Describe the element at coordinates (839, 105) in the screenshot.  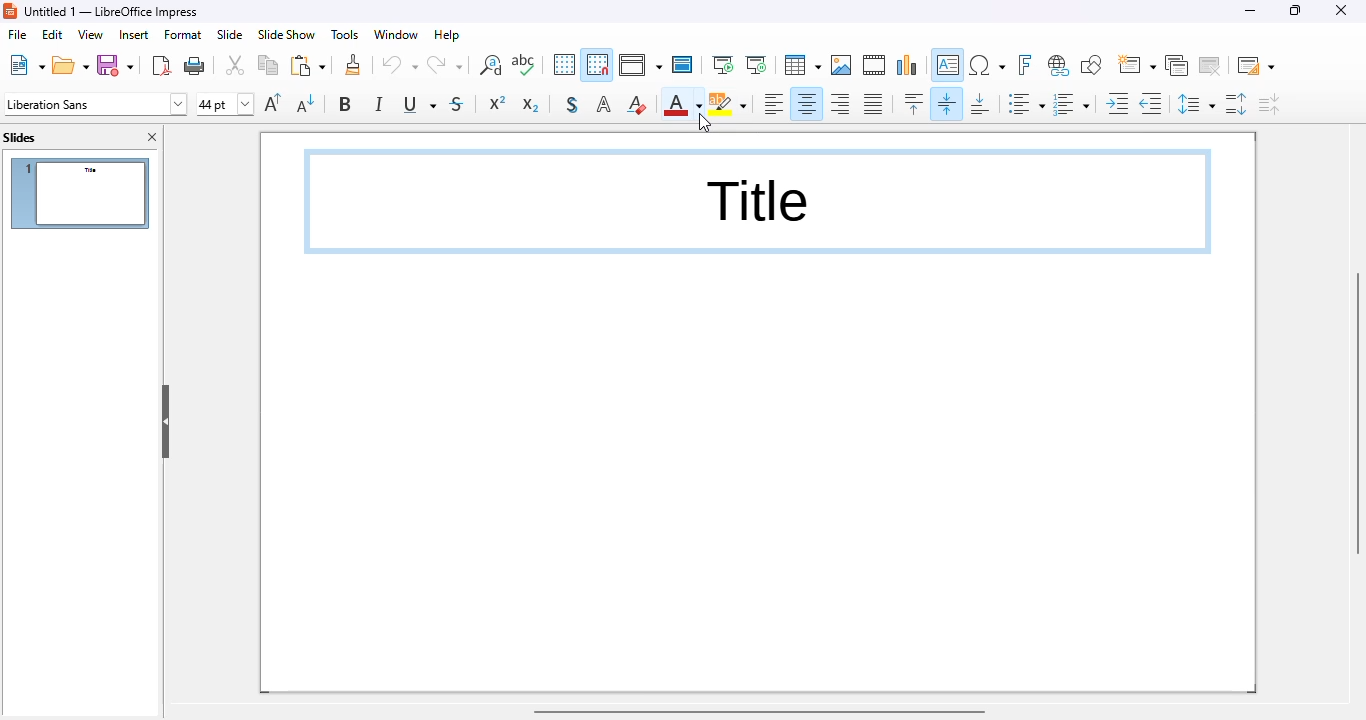
I see `align right` at that location.